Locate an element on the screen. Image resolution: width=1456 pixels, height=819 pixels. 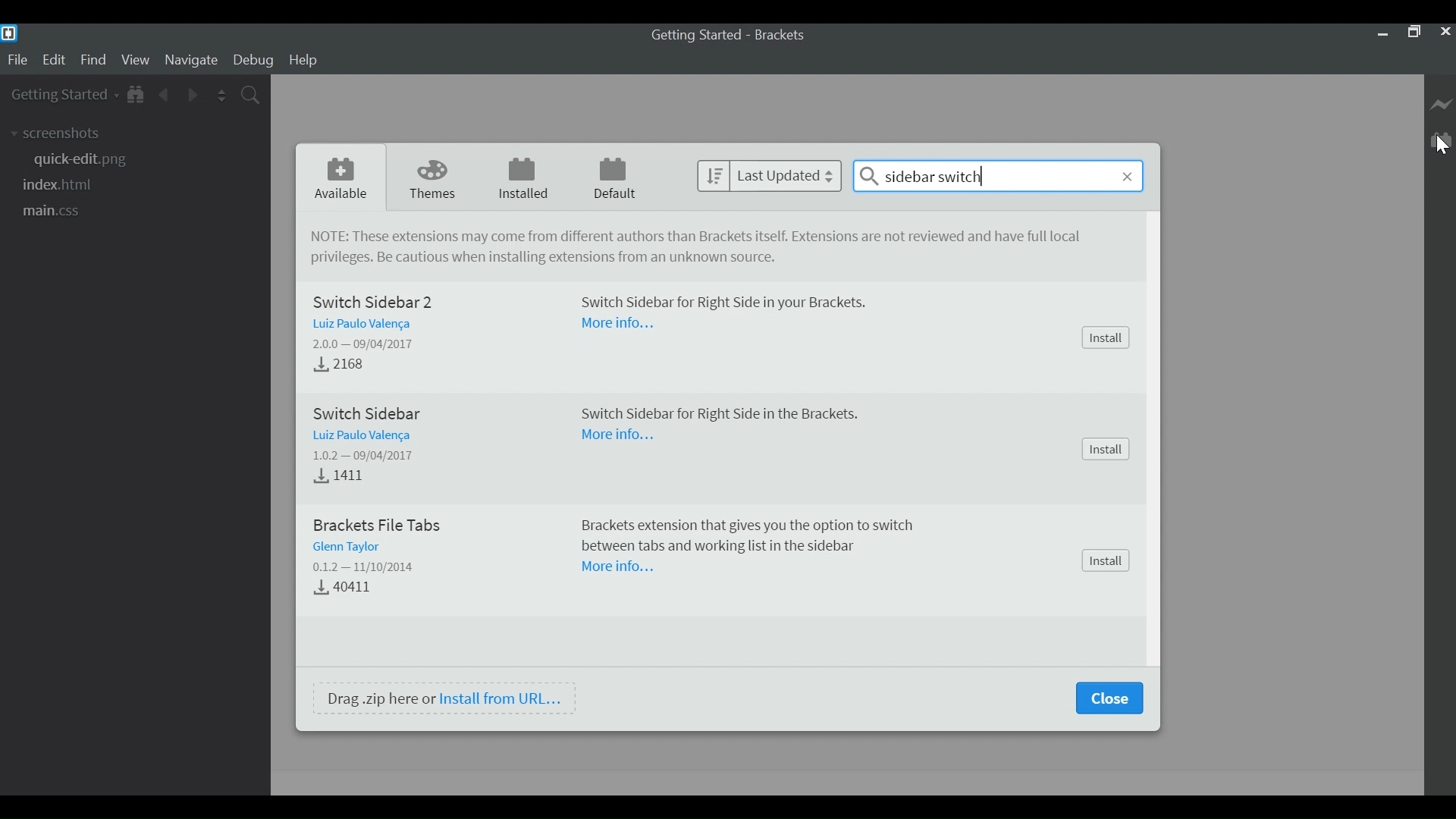
Edit is located at coordinates (55, 61).